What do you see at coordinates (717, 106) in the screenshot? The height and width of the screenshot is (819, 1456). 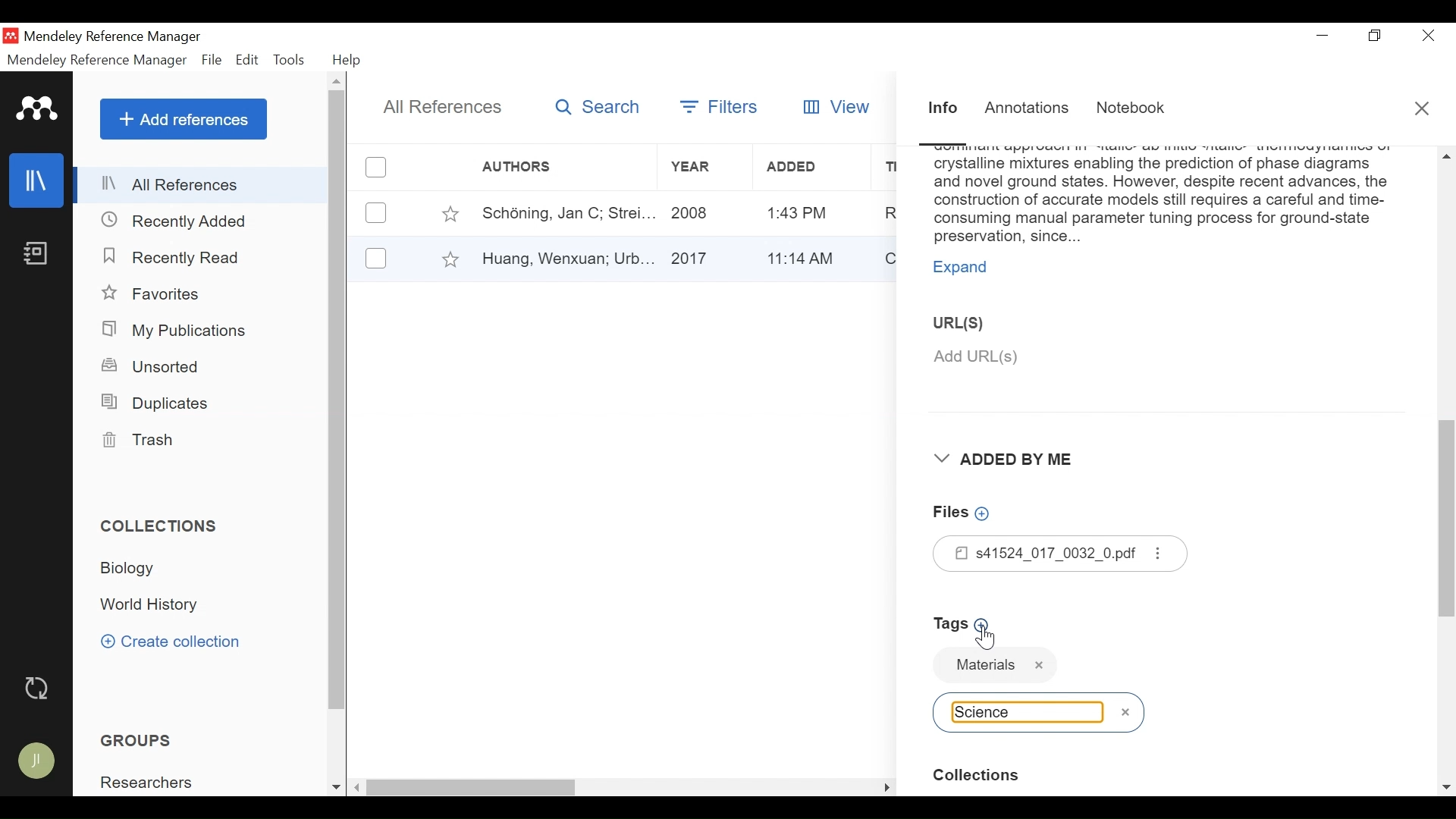 I see `Filters` at bounding box center [717, 106].